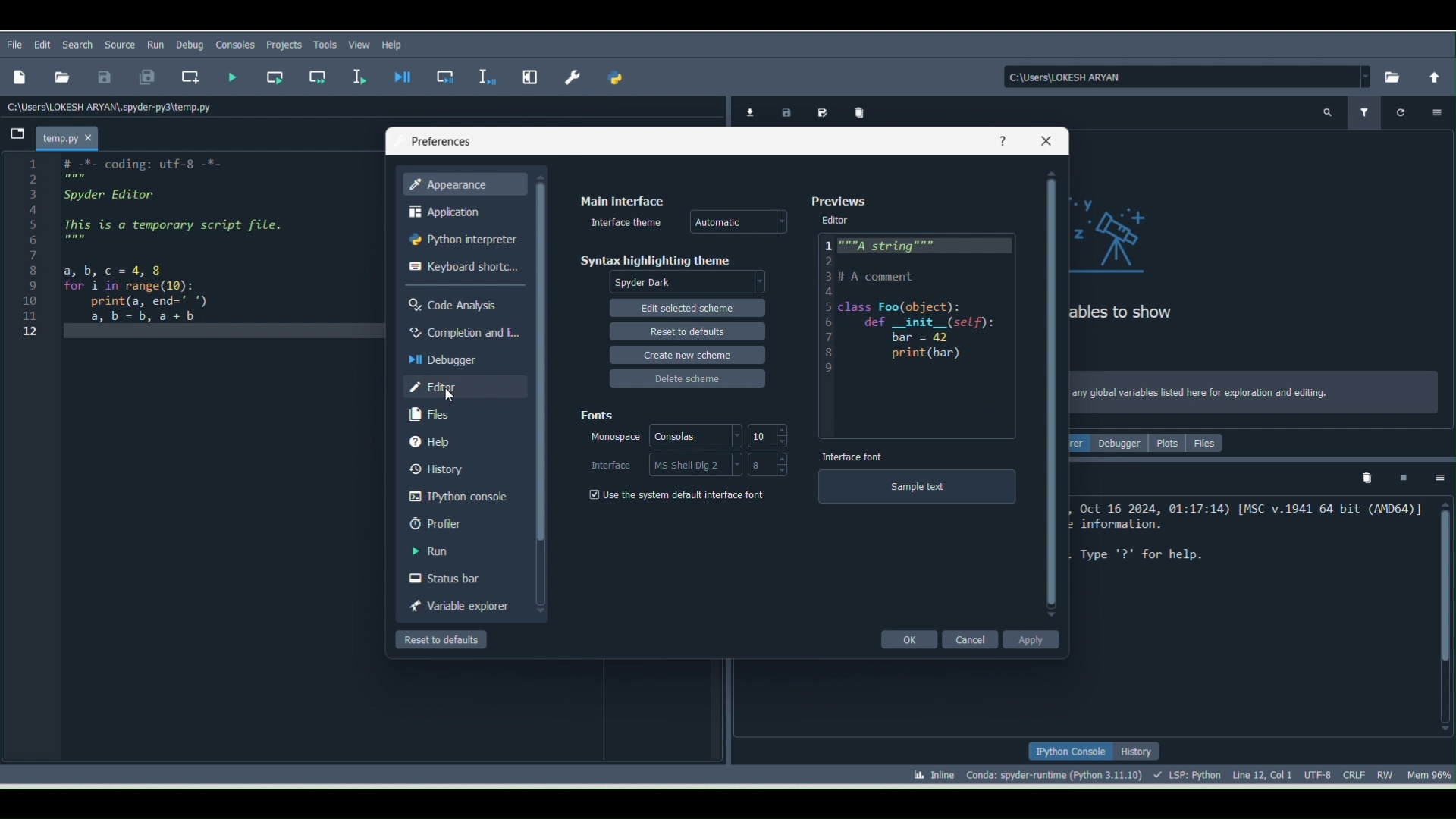  What do you see at coordinates (842, 202) in the screenshot?
I see `Previews` at bounding box center [842, 202].